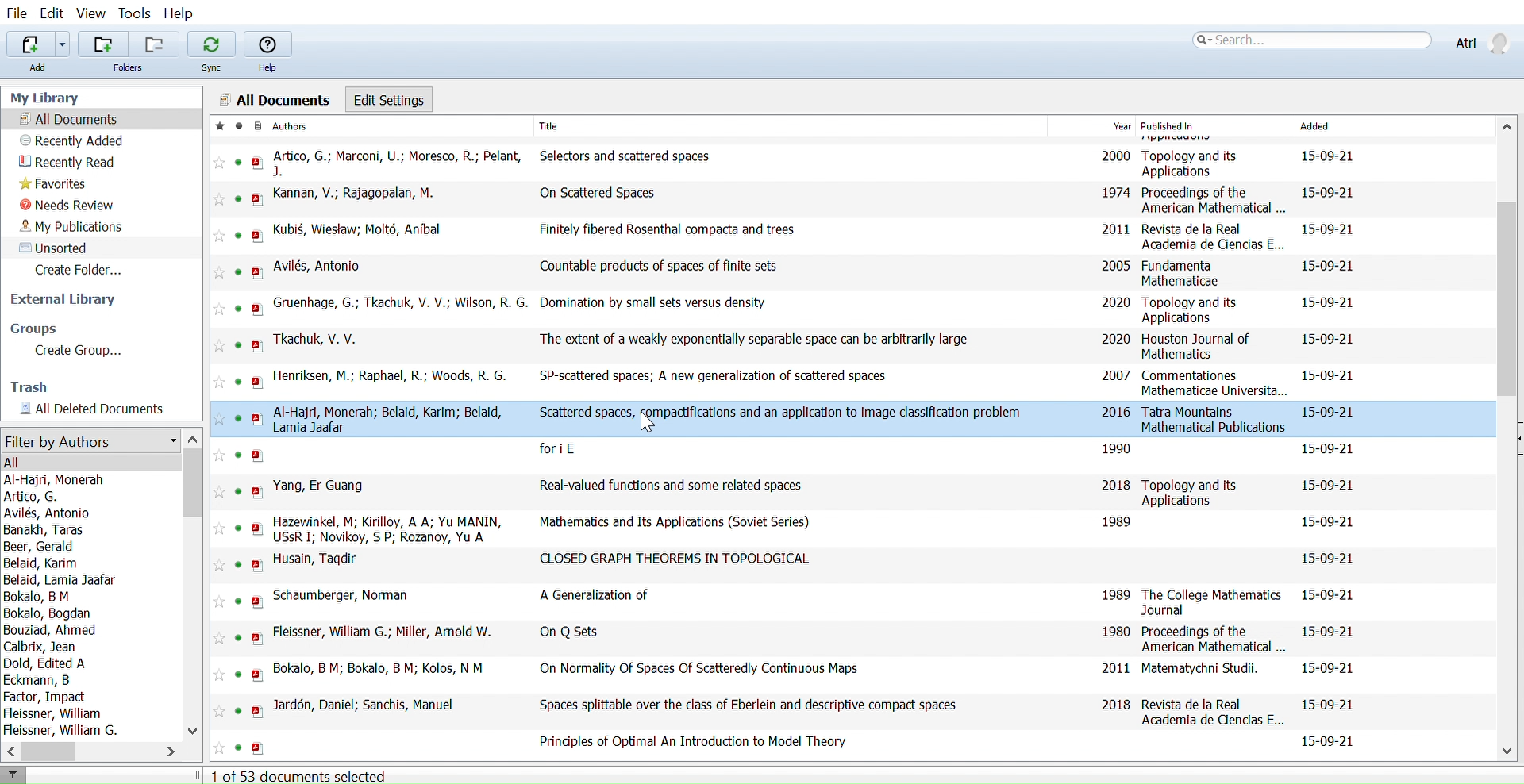 This screenshot has height=784, width=1524. Describe the element at coordinates (670, 523) in the screenshot. I see `Mathematics and Its Applications (Soviet Series)` at that location.